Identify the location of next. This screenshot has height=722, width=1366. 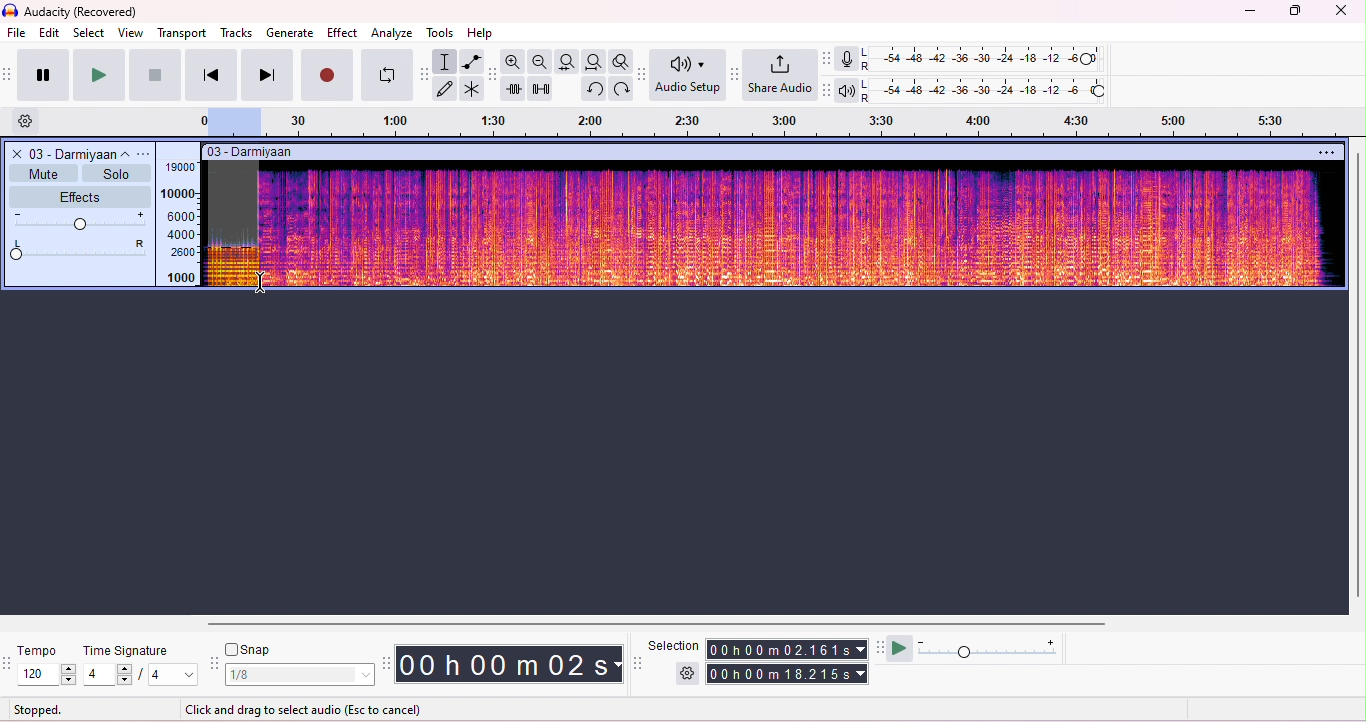
(267, 75).